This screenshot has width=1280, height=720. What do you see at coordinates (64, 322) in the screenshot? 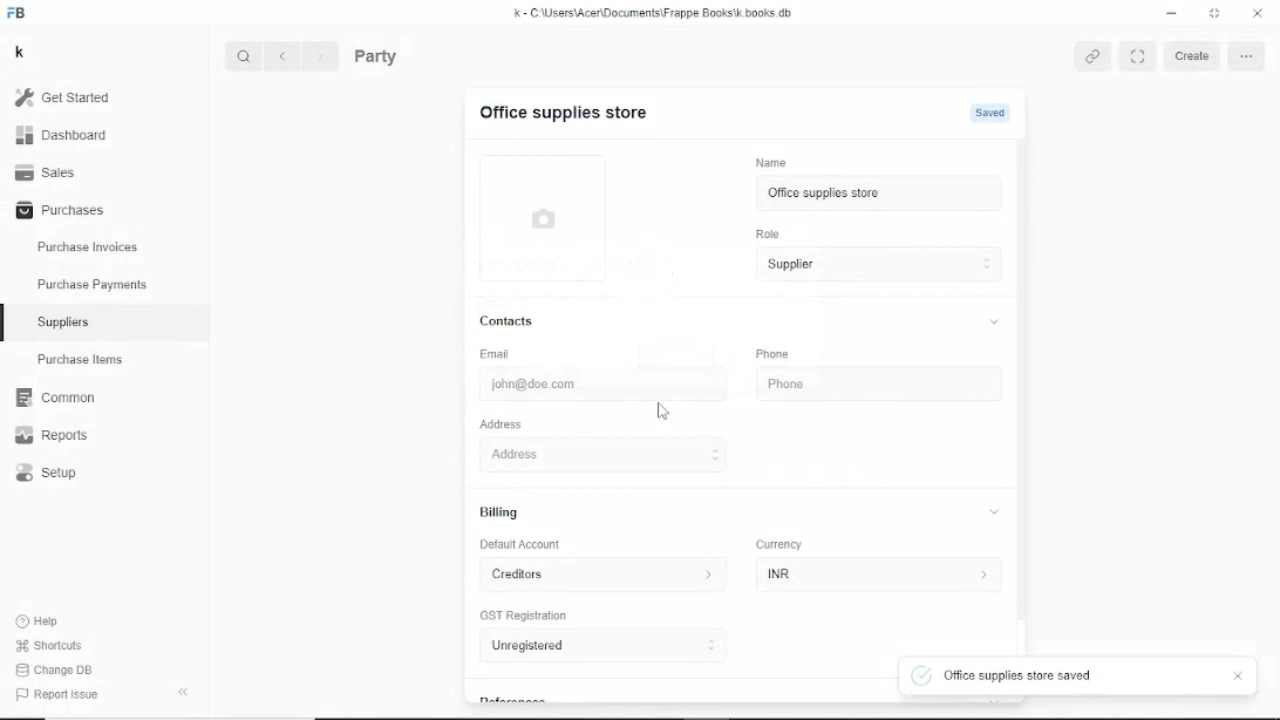
I see `Suppliers` at bounding box center [64, 322].